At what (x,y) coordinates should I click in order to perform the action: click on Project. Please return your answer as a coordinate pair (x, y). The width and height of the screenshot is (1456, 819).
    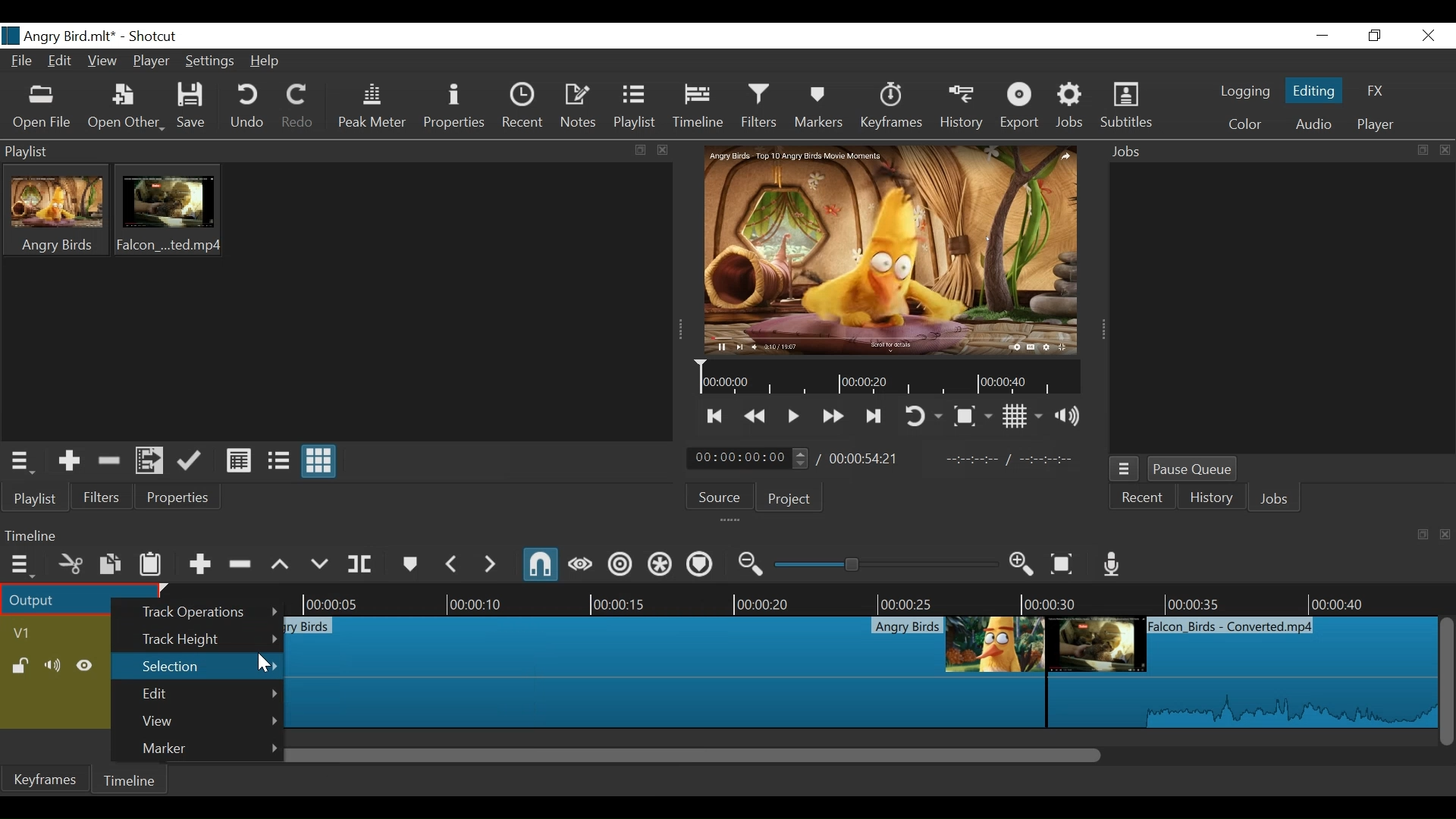
    Looking at the image, I should click on (788, 500).